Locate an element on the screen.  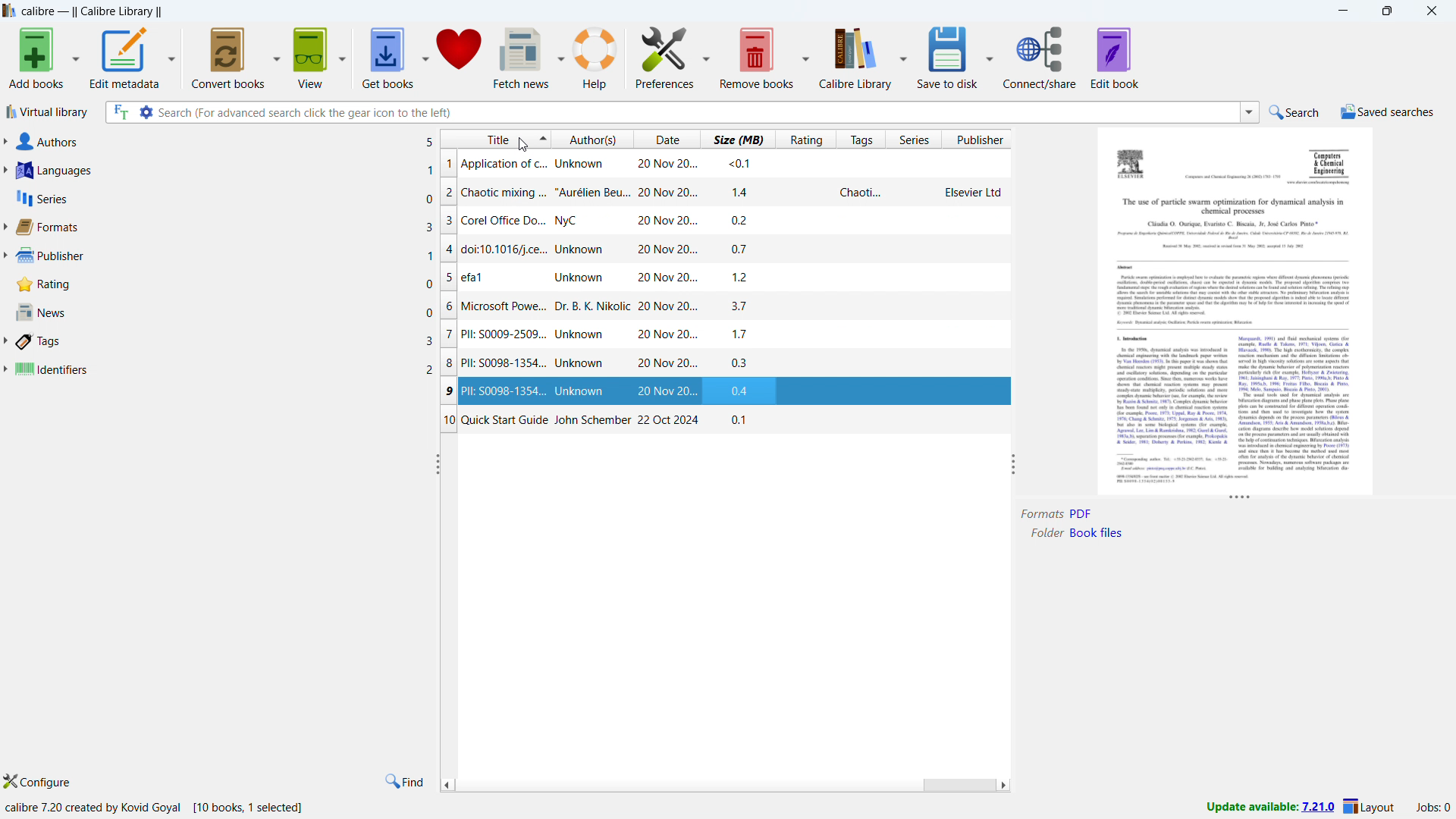
scrollbar is located at coordinates (955, 784).